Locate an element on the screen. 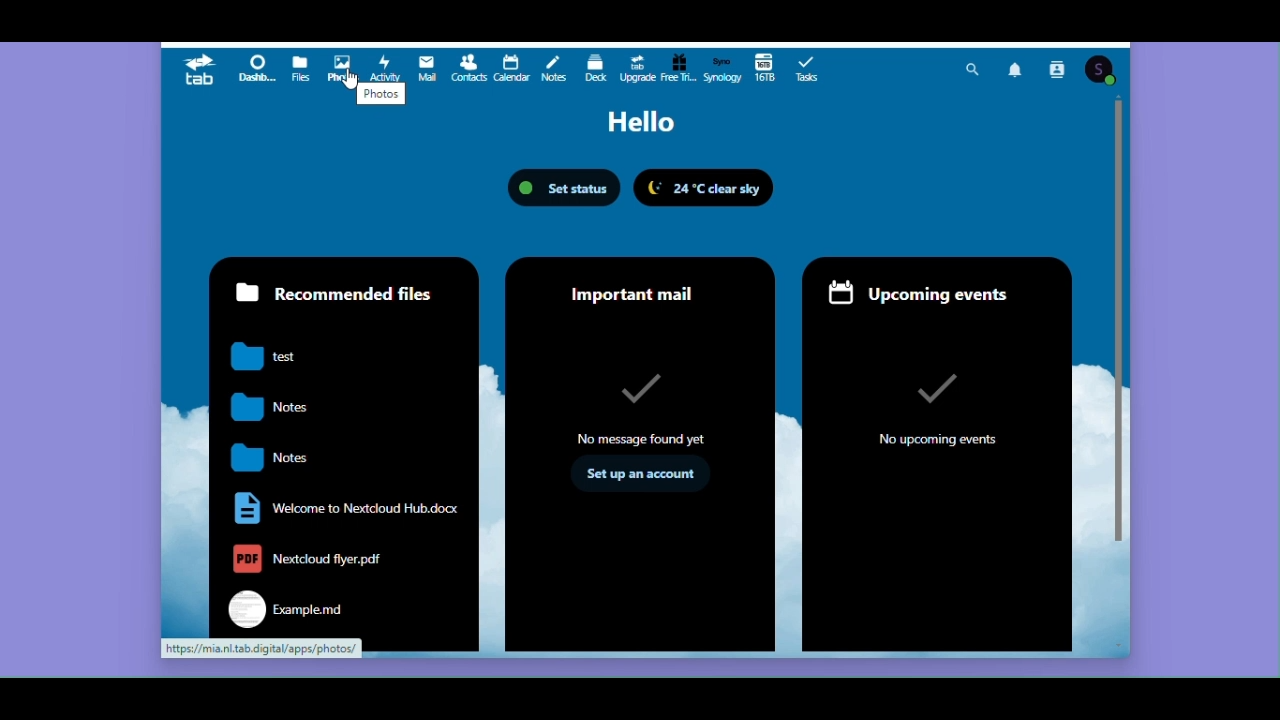  Search is located at coordinates (972, 70).